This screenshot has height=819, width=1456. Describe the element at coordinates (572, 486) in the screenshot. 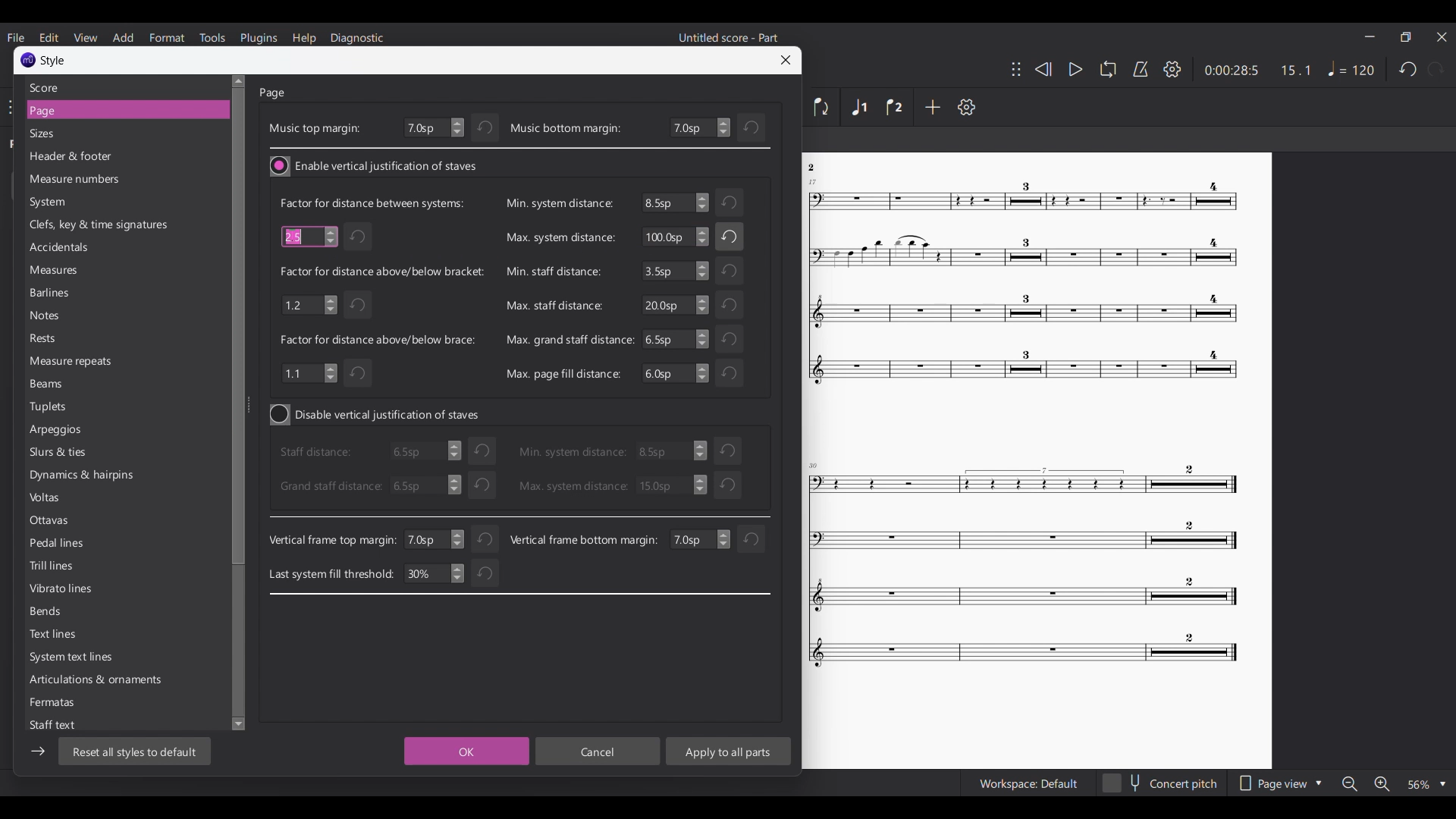

I see `Max. system distance` at that location.